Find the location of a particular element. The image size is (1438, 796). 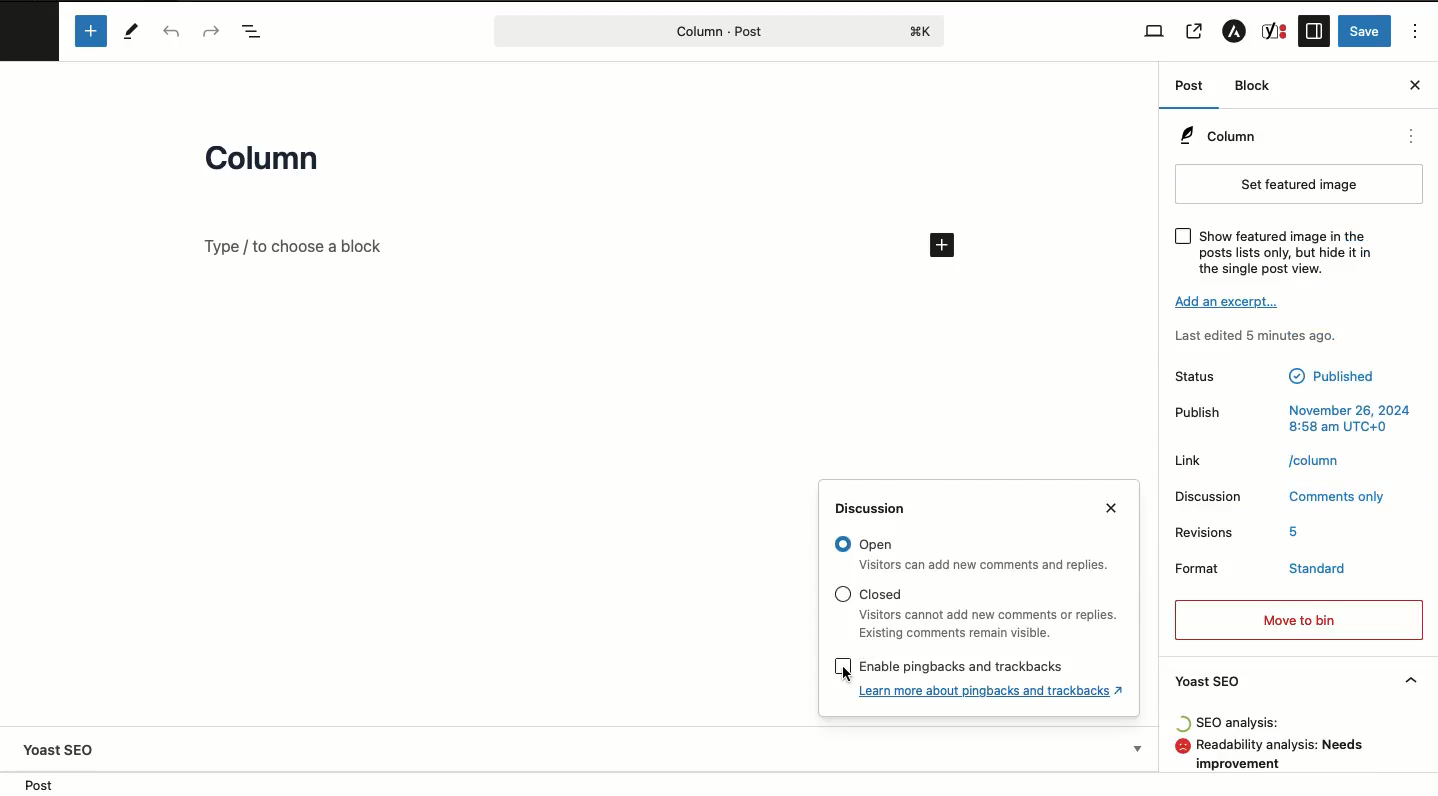

Post is located at coordinates (699, 31).